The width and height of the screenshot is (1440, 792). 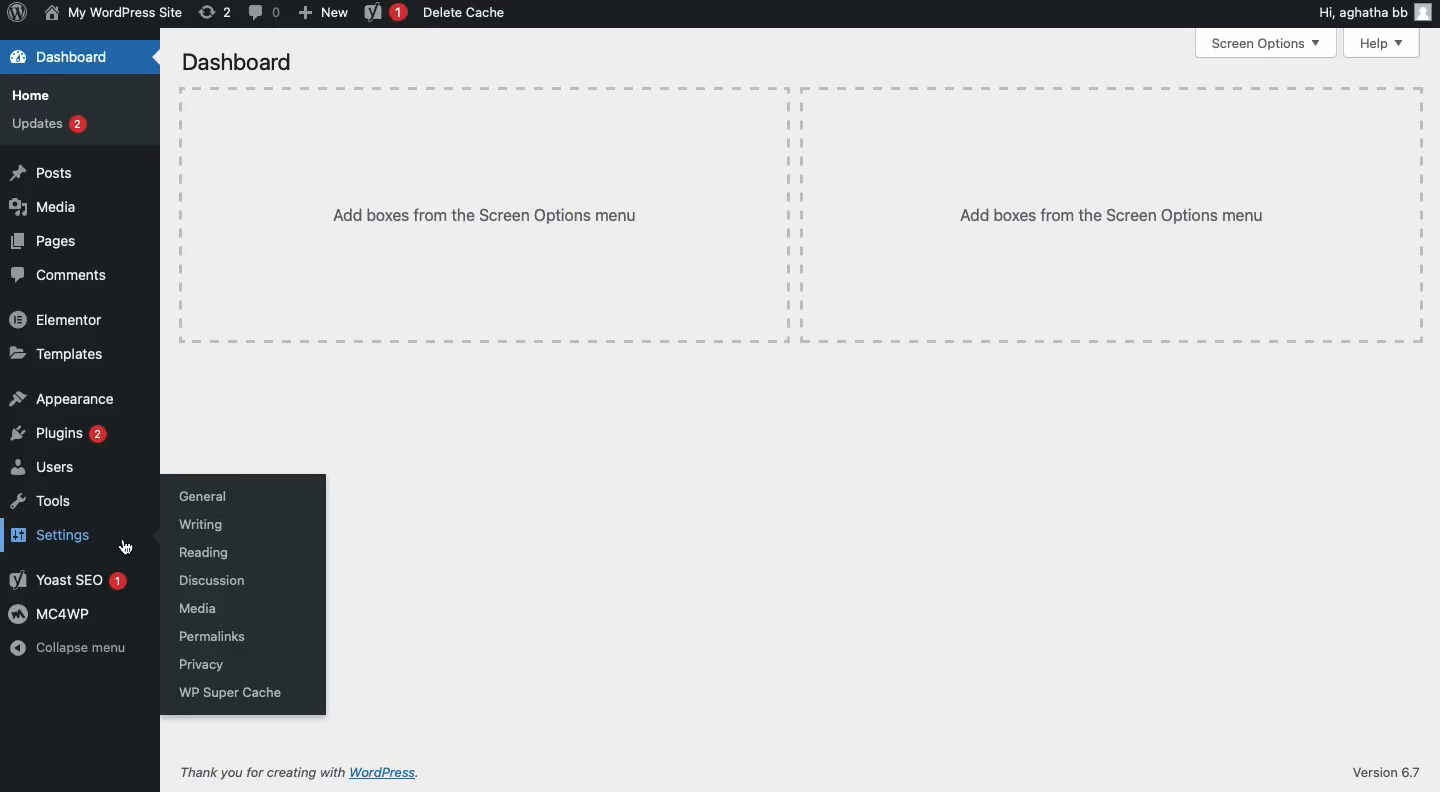 What do you see at coordinates (1389, 770) in the screenshot?
I see `Version 6.7` at bounding box center [1389, 770].